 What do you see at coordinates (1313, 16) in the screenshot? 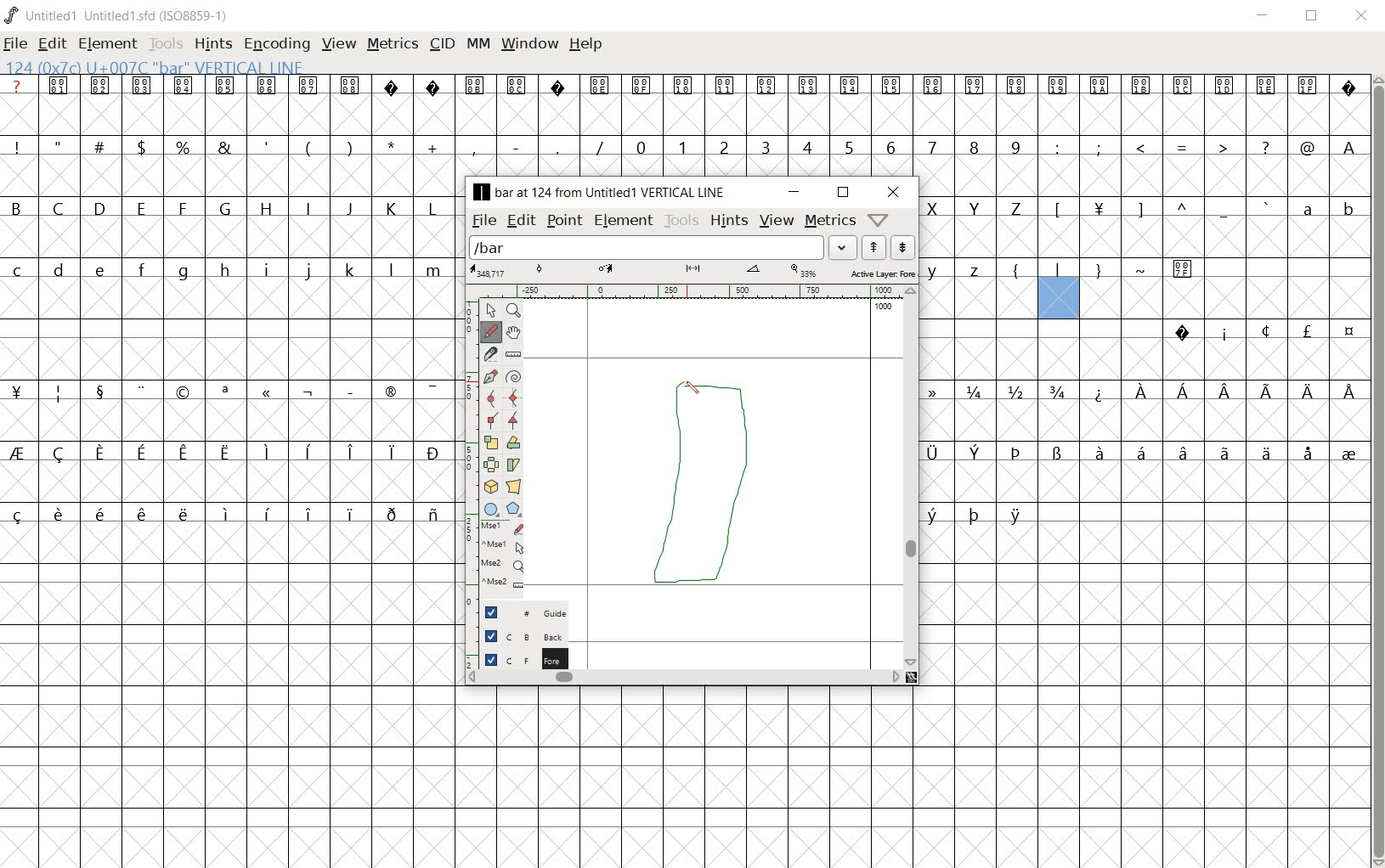
I see `restore down` at bounding box center [1313, 16].